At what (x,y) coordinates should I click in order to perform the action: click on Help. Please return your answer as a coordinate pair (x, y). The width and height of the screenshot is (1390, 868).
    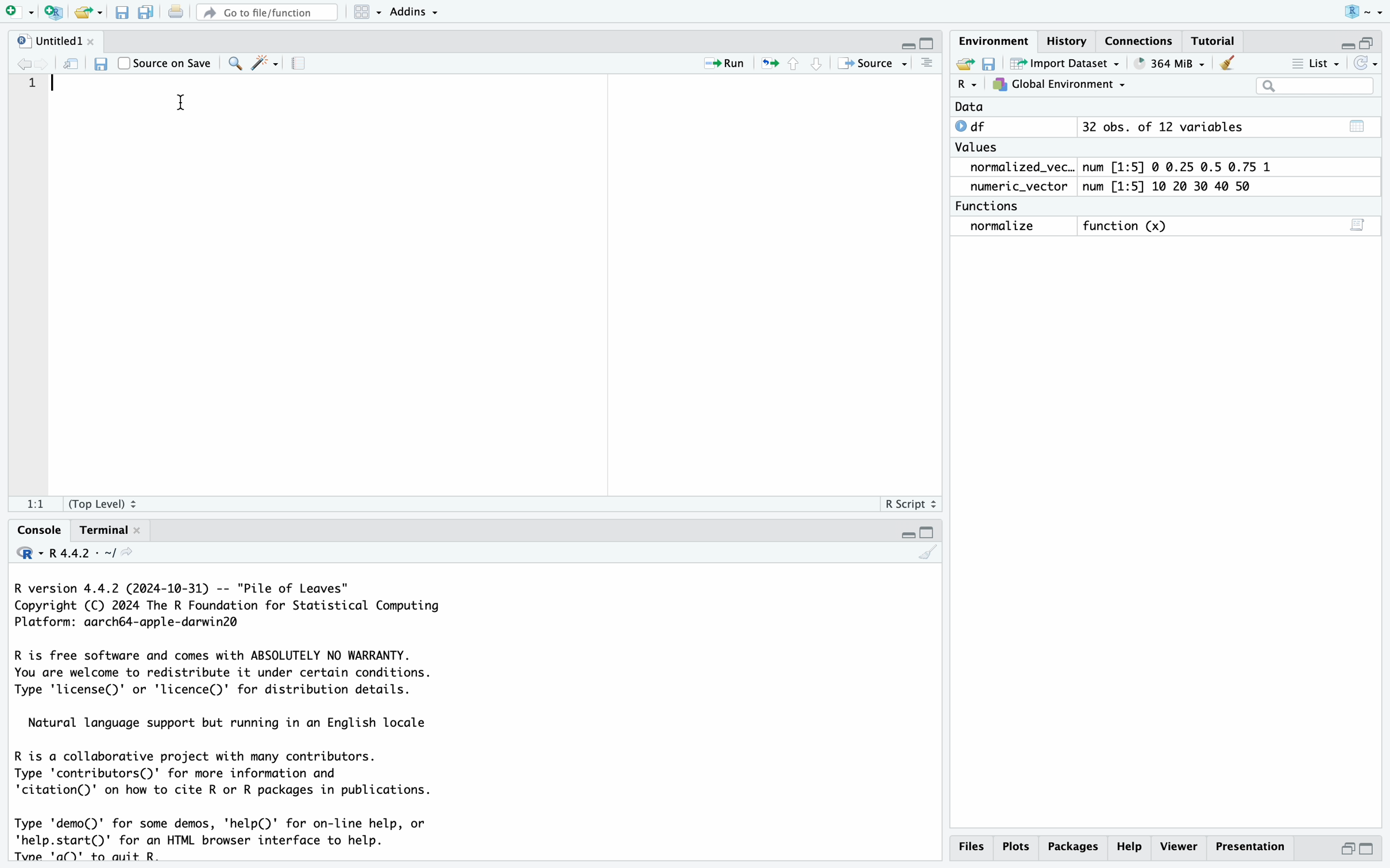
    Looking at the image, I should click on (1132, 846).